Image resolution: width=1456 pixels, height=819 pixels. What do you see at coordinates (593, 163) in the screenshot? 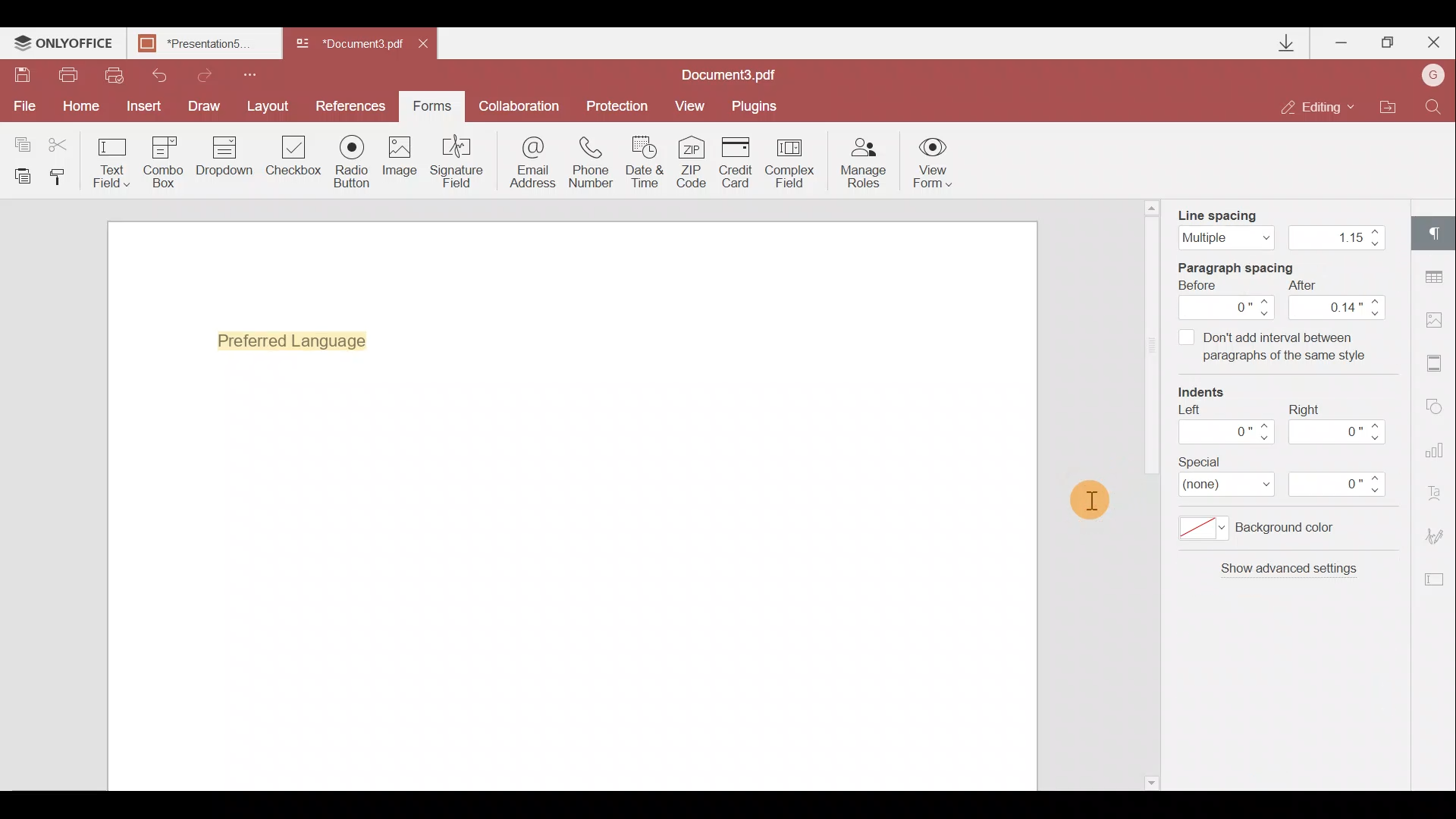
I see `Phone number` at bounding box center [593, 163].